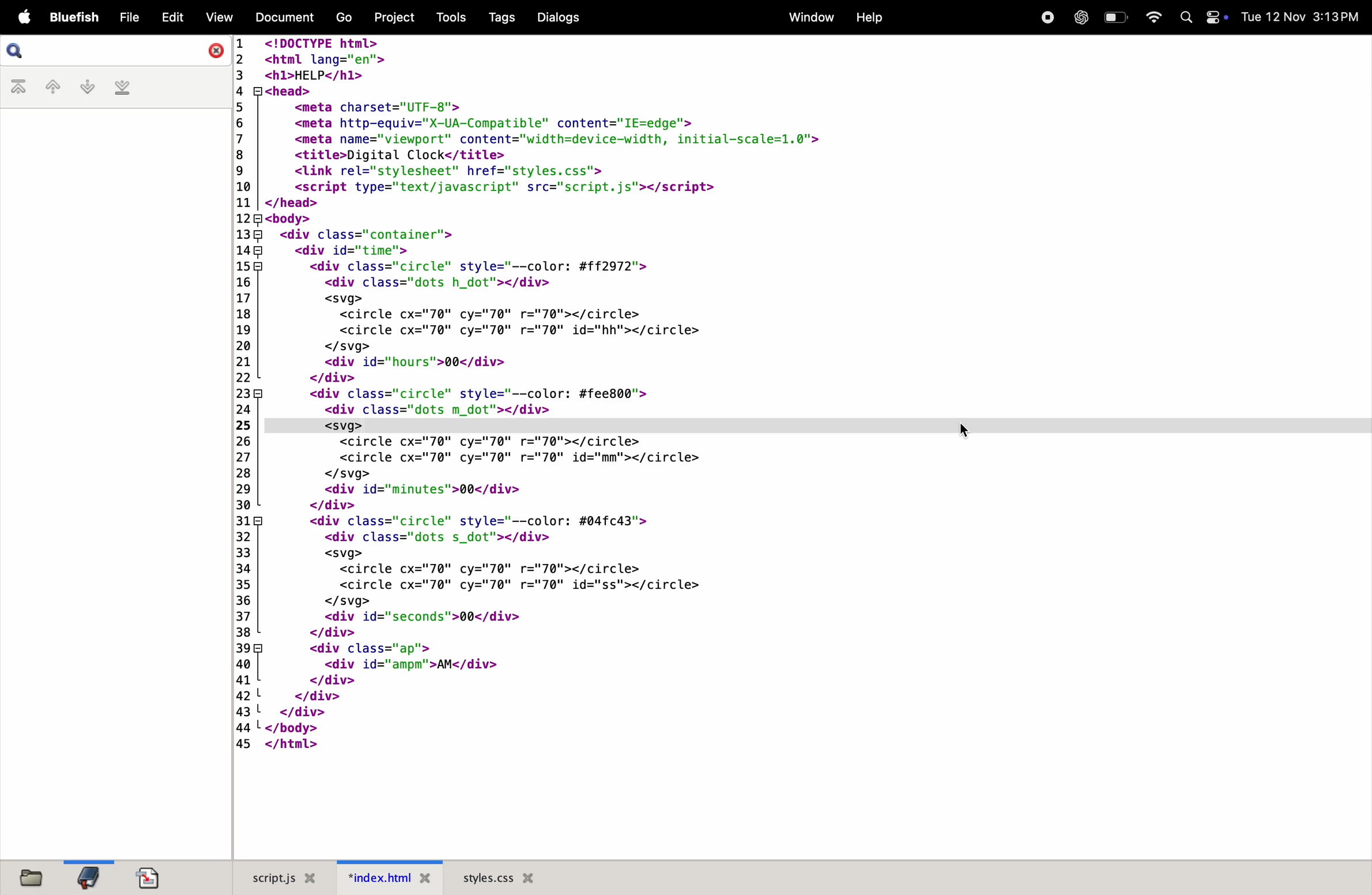 Image resolution: width=1372 pixels, height=895 pixels. What do you see at coordinates (342, 18) in the screenshot?
I see `go` at bounding box center [342, 18].